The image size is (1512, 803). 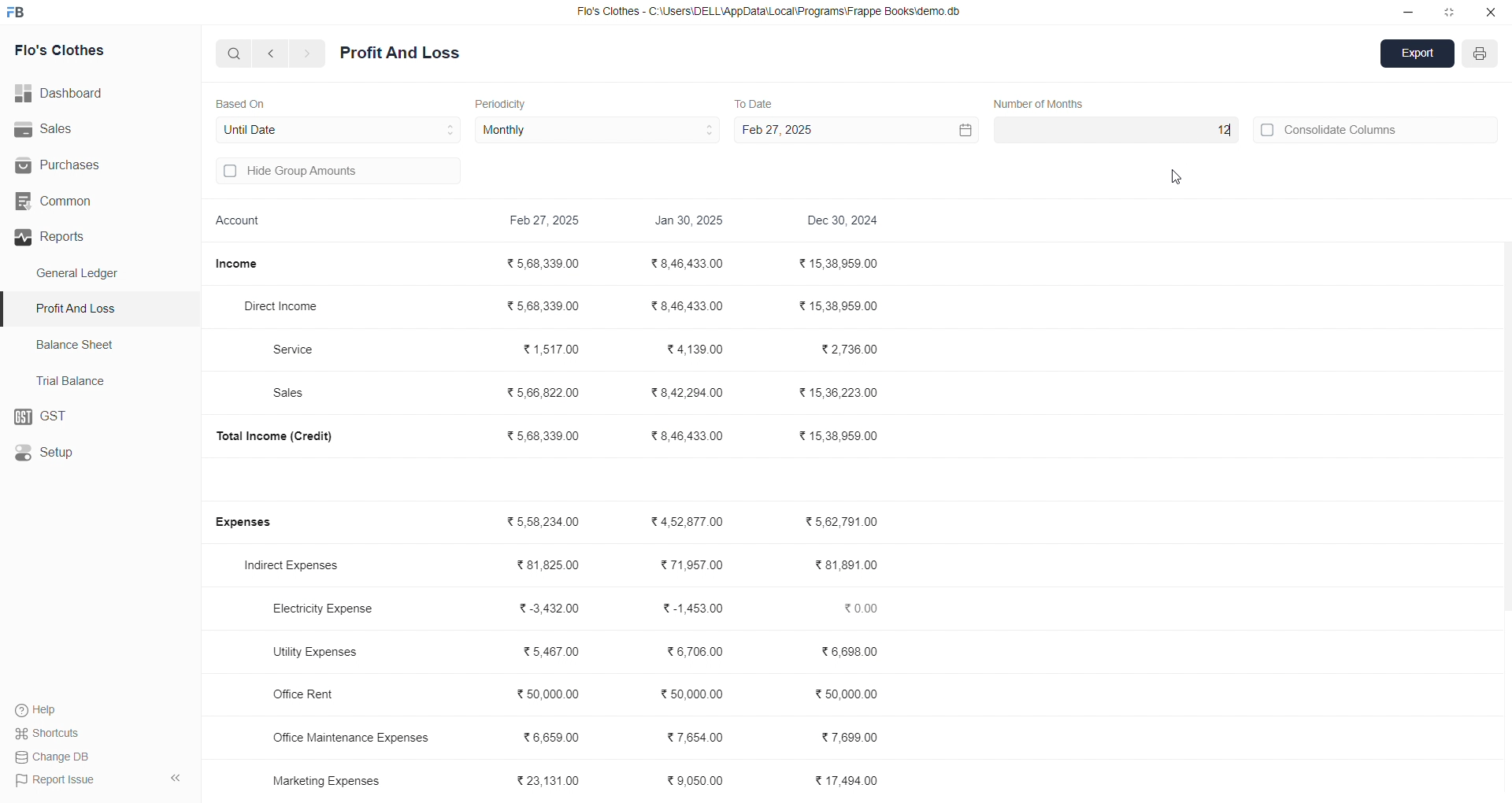 What do you see at coordinates (552, 779) in the screenshot?
I see `₹23,131.00` at bounding box center [552, 779].